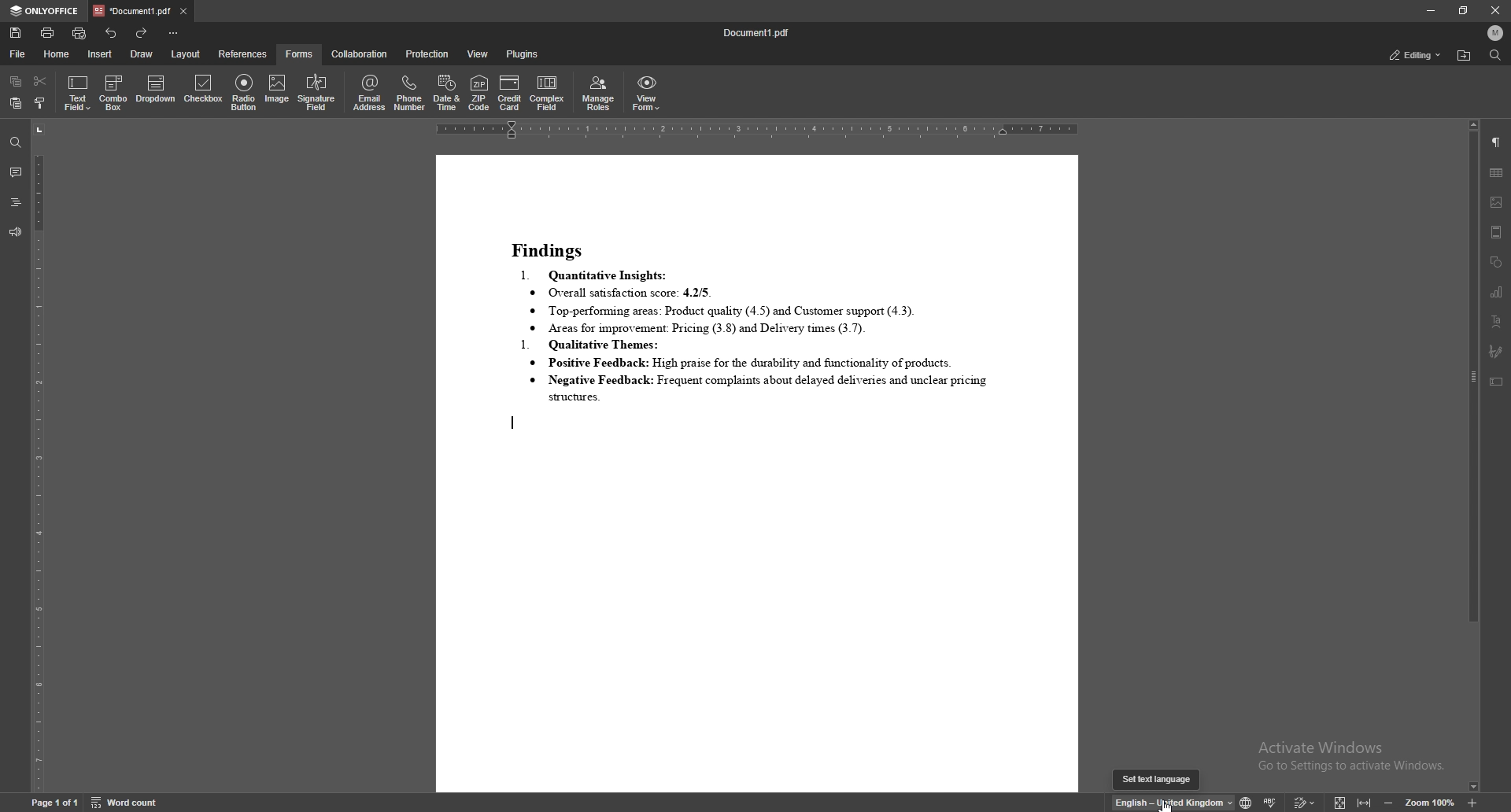 The width and height of the screenshot is (1511, 812). I want to click on signature field, so click(1495, 350).